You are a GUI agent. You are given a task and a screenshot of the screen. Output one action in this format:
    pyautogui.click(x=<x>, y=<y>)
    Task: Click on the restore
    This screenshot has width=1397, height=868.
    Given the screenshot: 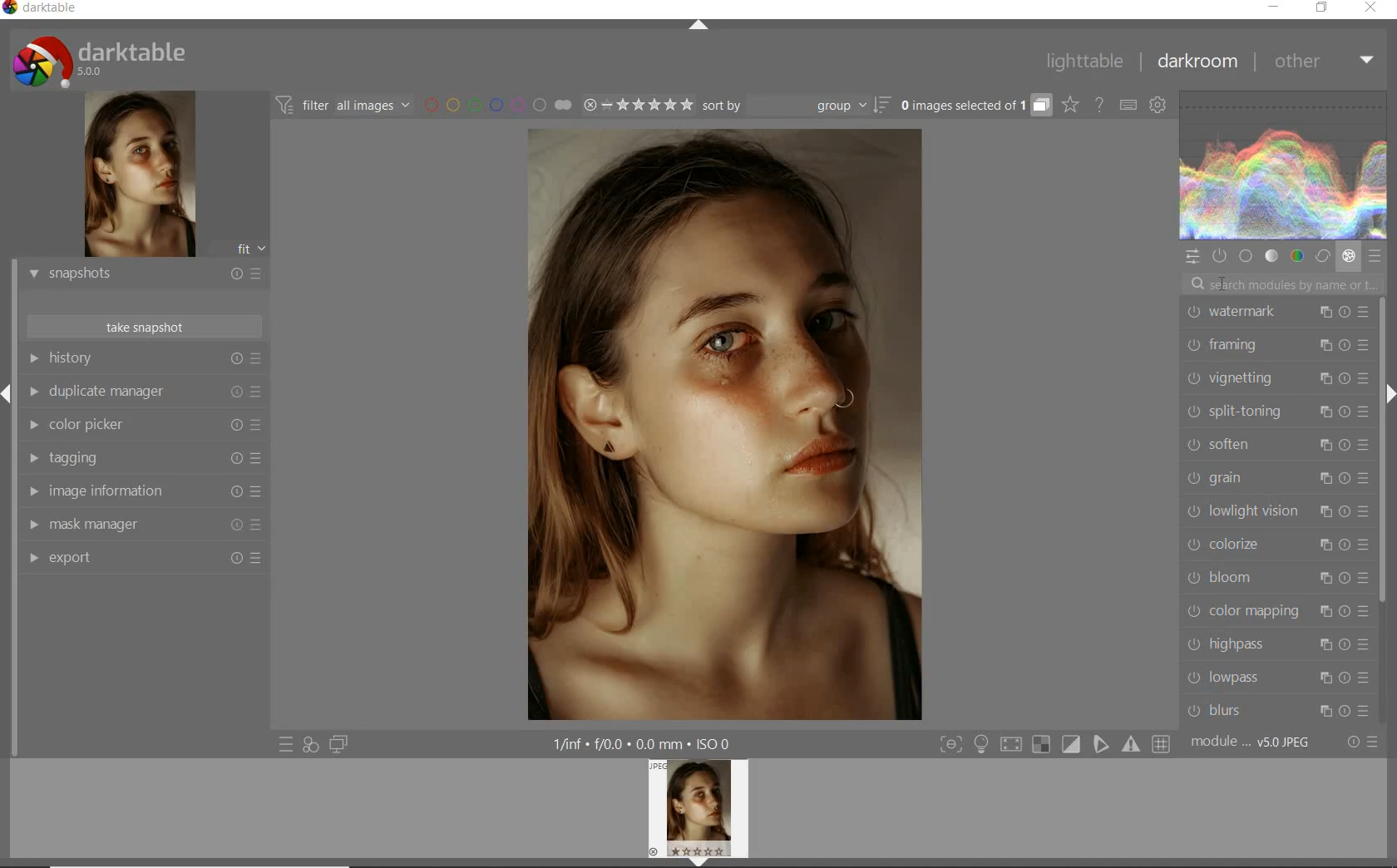 What is the action you would take?
    pyautogui.click(x=1322, y=11)
    